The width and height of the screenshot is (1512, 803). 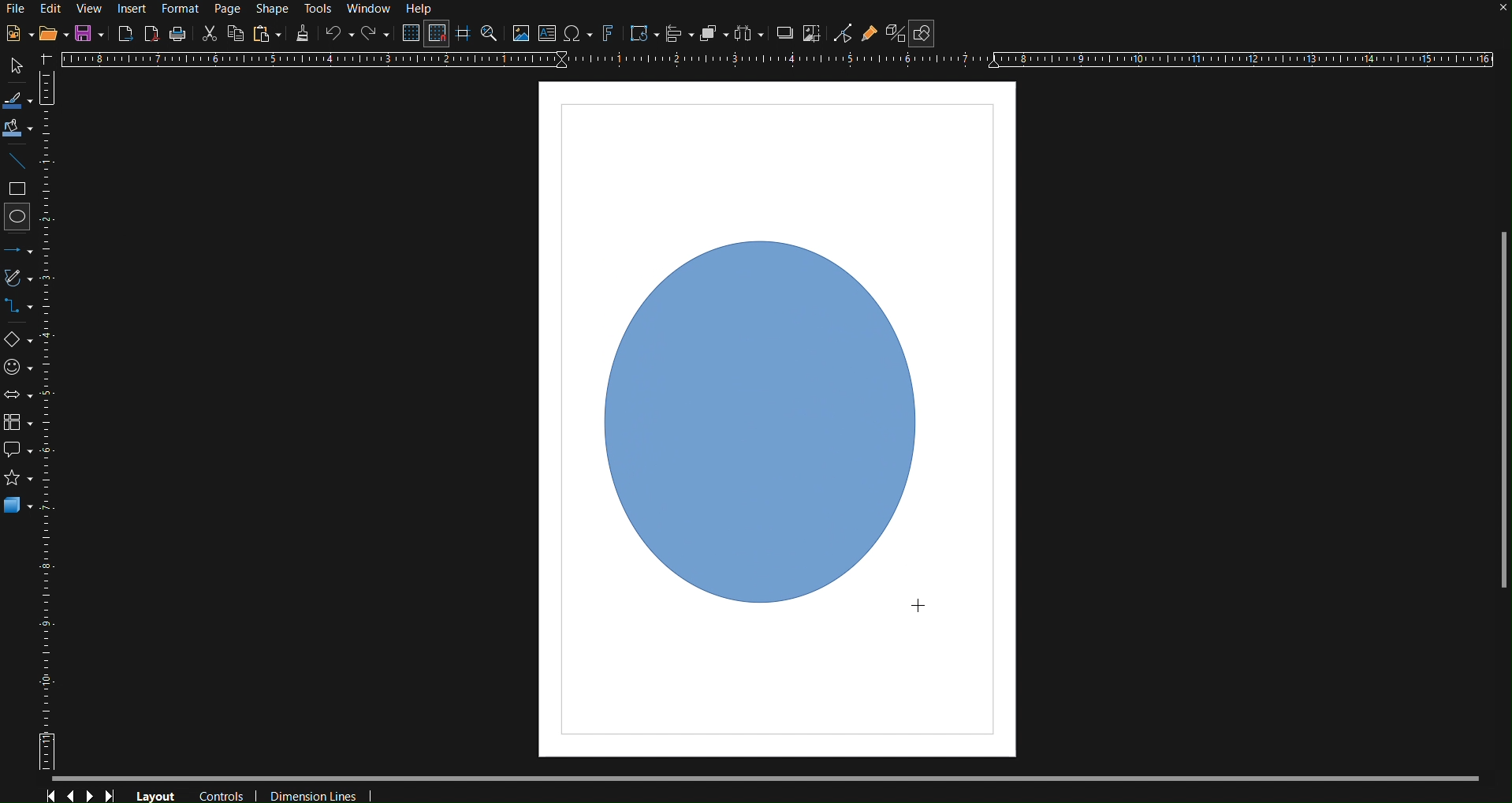 What do you see at coordinates (17, 450) in the screenshot?
I see `Callout shapes` at bounding box center [17, 450].